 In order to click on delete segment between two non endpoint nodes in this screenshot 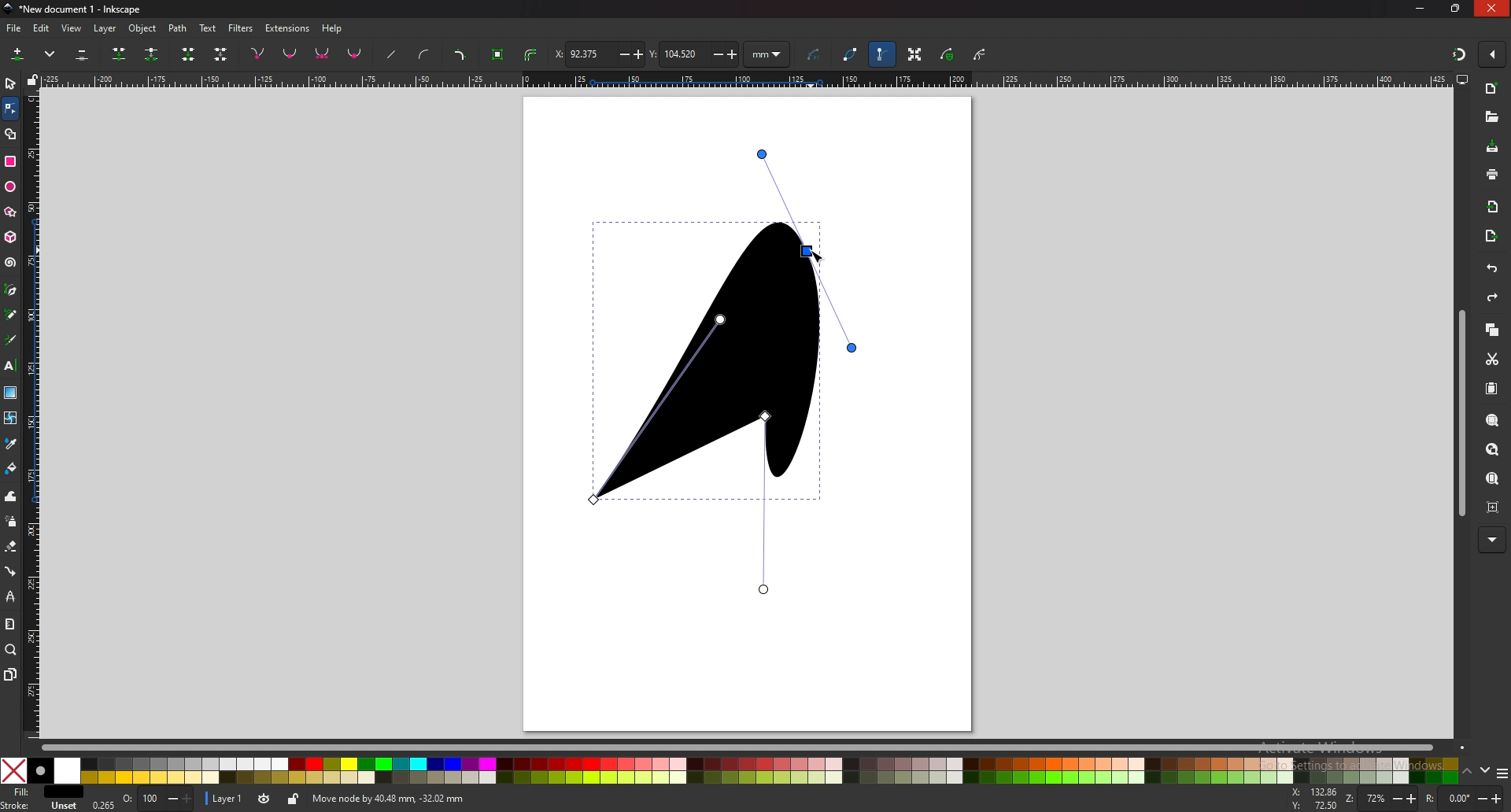, I will do `click(220, 54)`.